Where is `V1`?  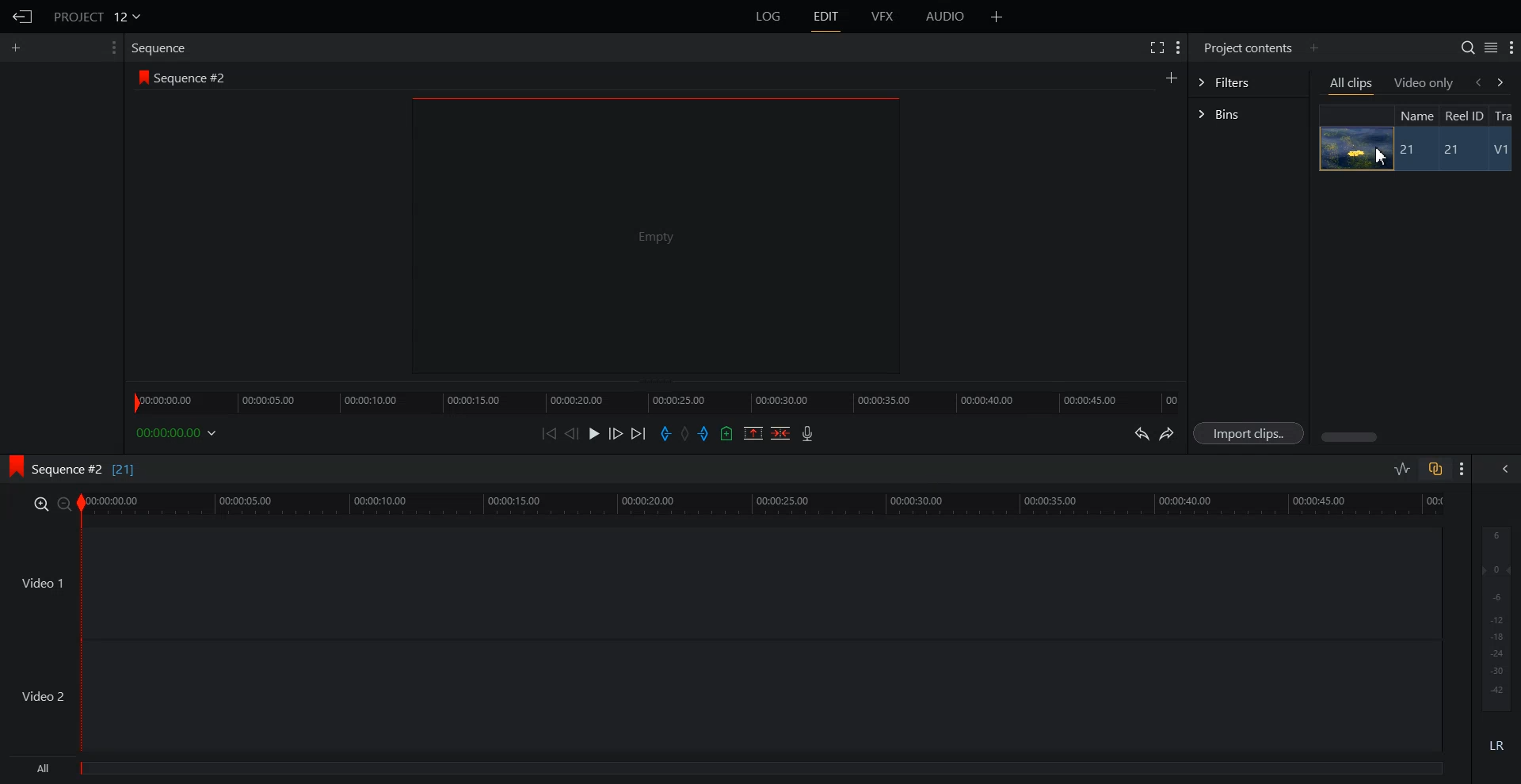 V1 is located at coordinates (1503, 151).